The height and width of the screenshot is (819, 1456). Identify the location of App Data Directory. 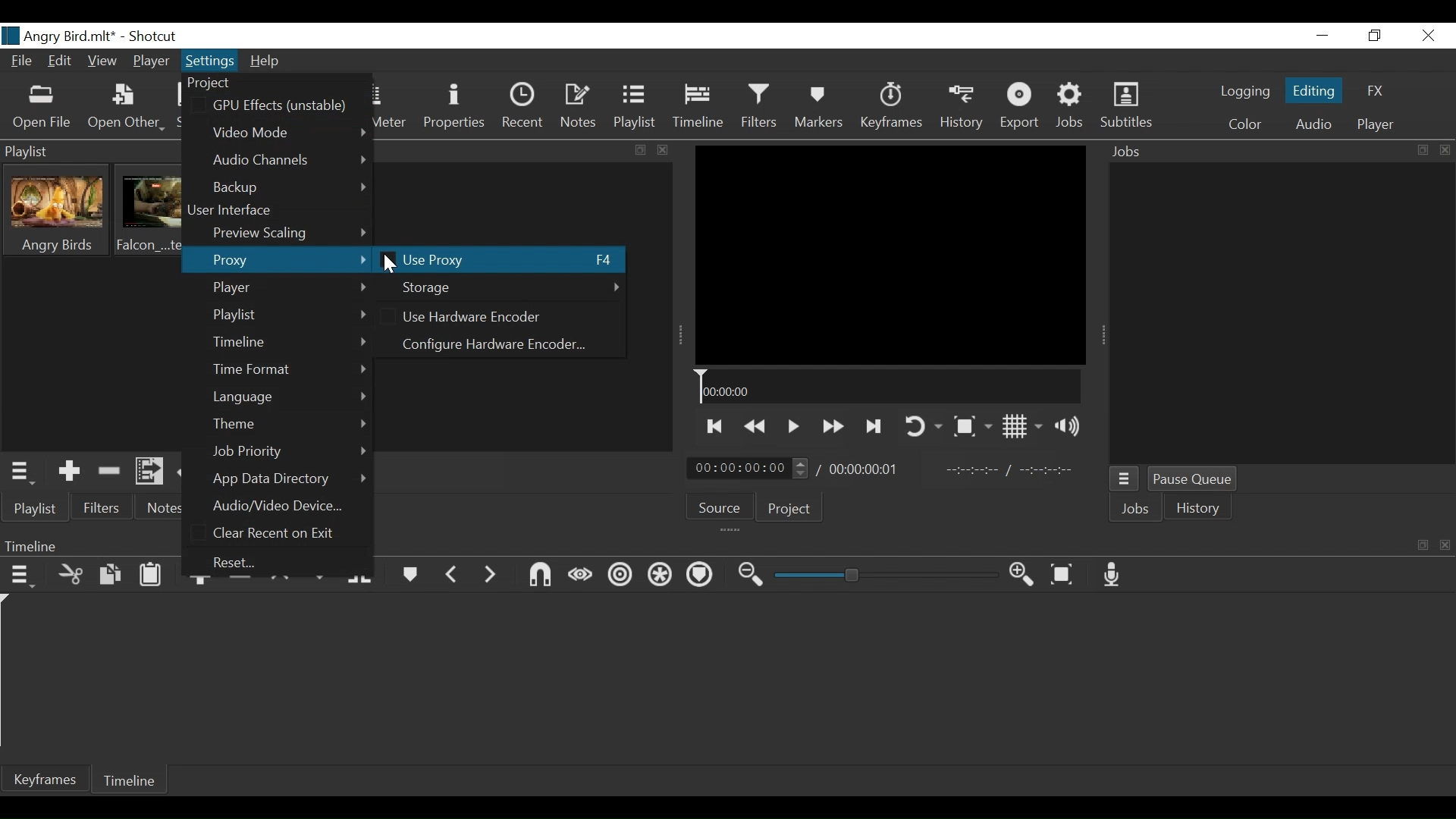
(289, 478).